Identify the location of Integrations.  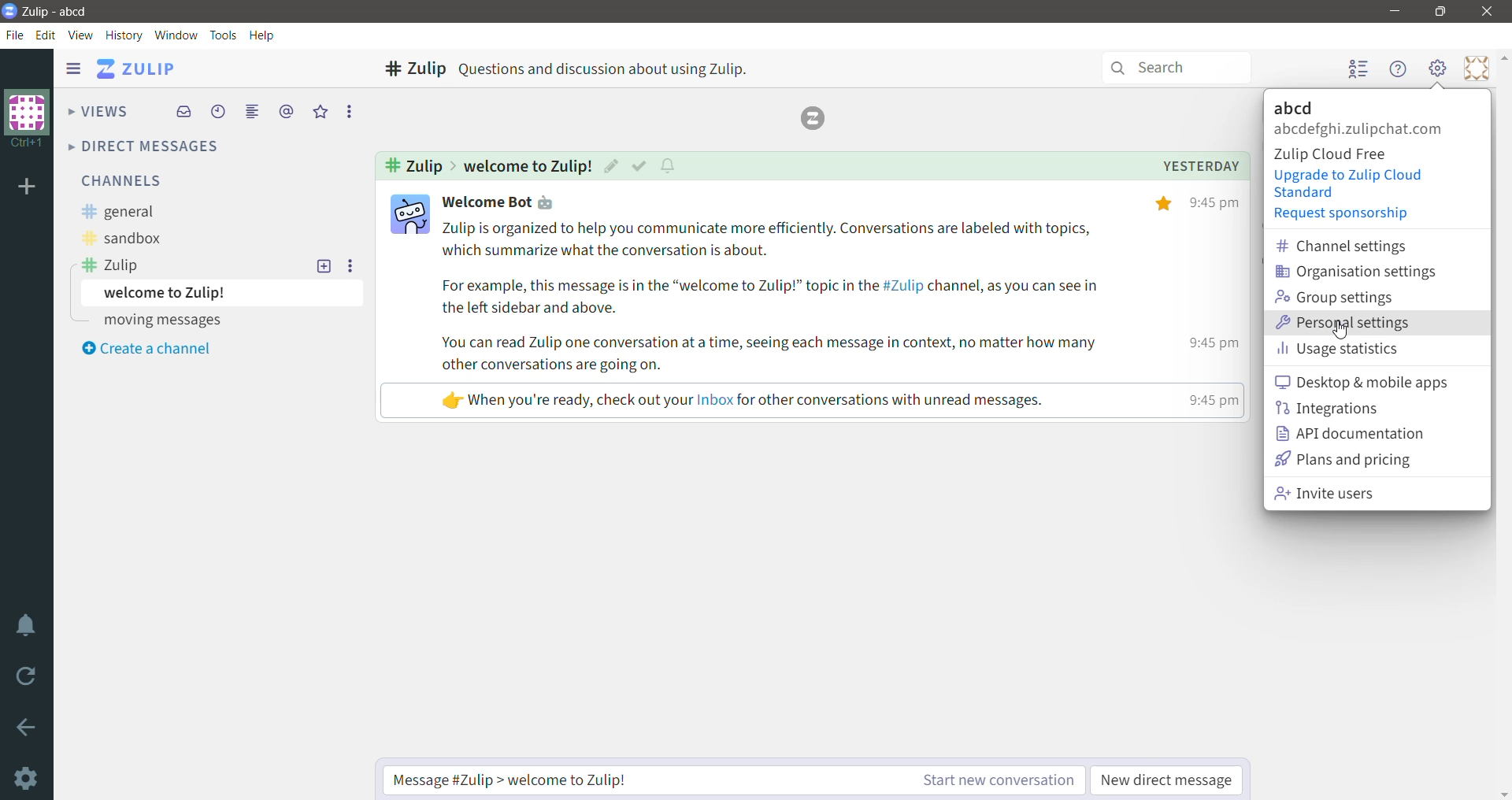
(1338, 407).